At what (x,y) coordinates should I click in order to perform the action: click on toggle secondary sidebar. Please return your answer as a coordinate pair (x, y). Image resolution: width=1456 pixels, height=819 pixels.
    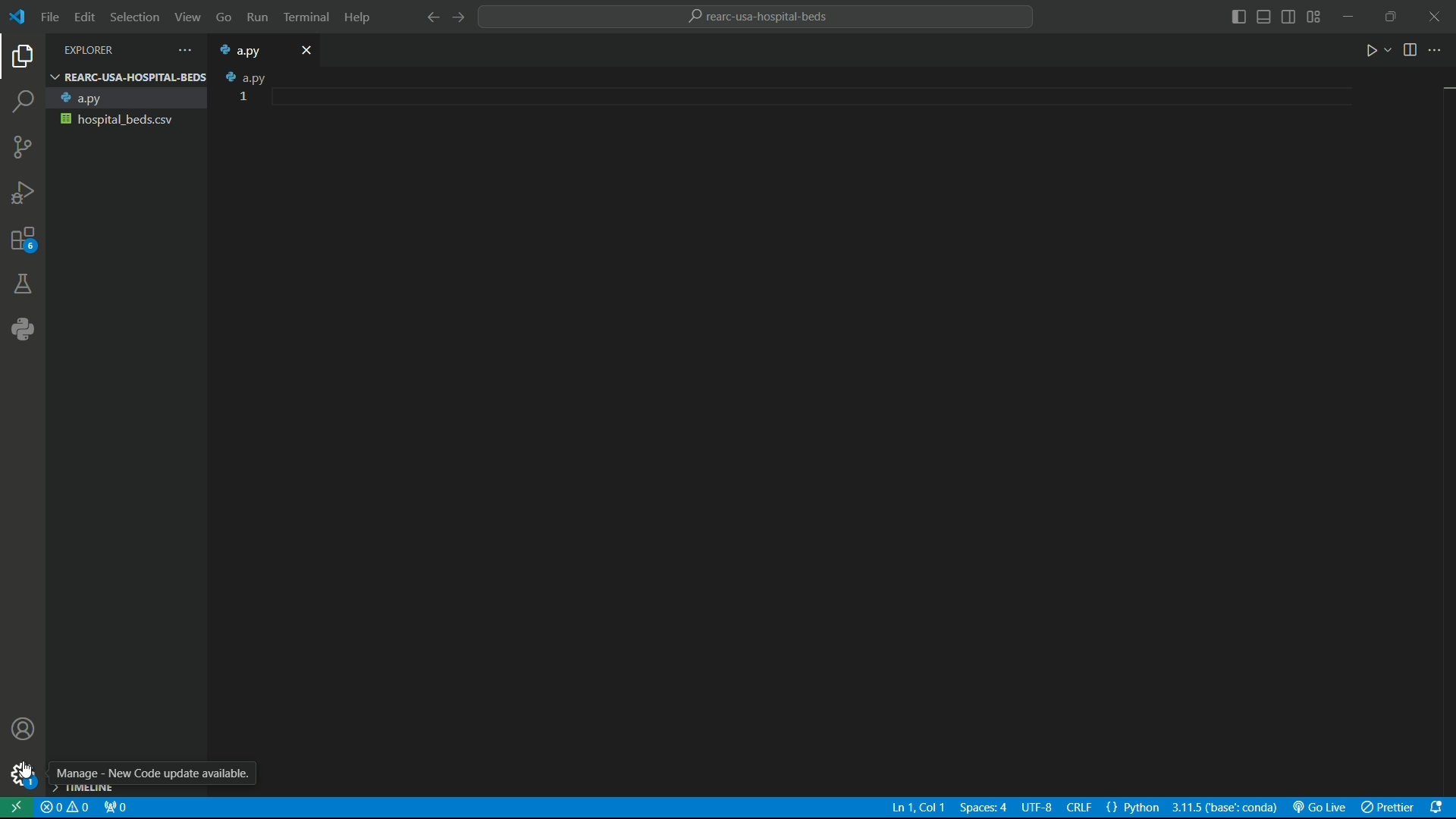
    Looking at the image, I should click on (1289, 18).